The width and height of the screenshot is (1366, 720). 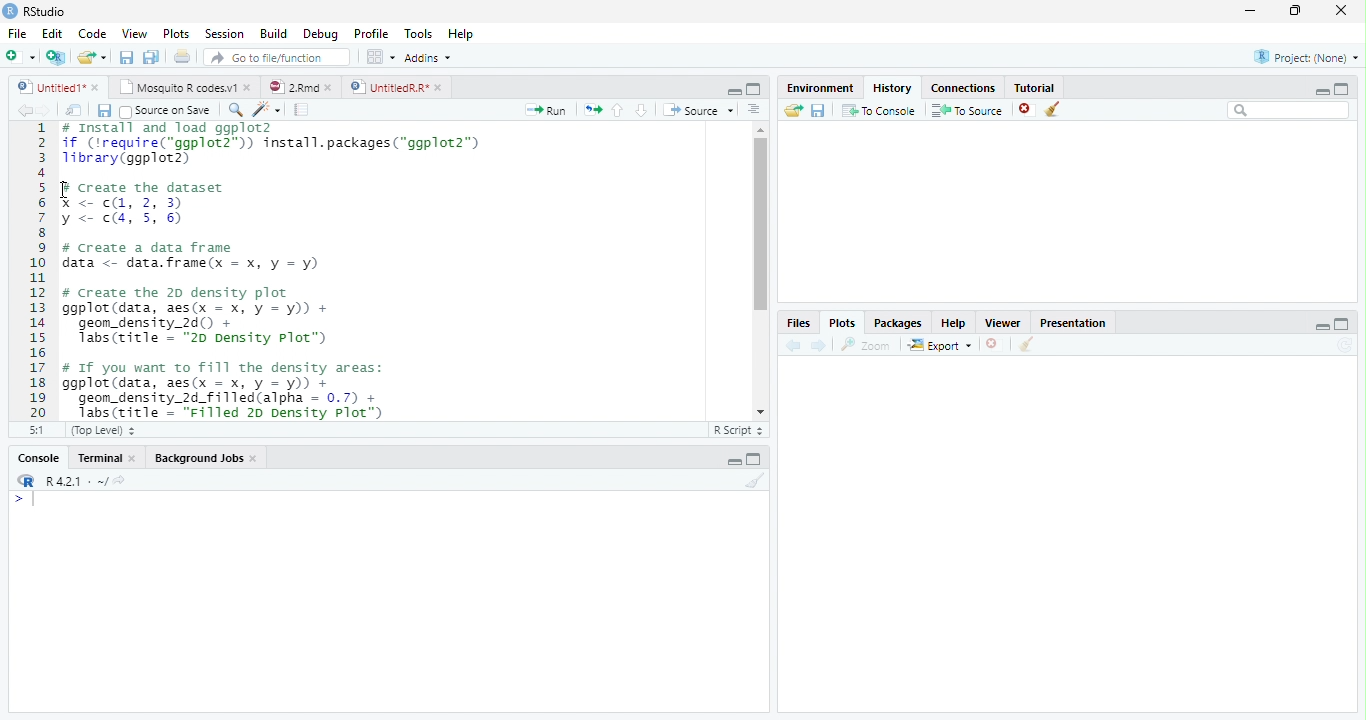 I want to click on save, so click(x=104, y=111).